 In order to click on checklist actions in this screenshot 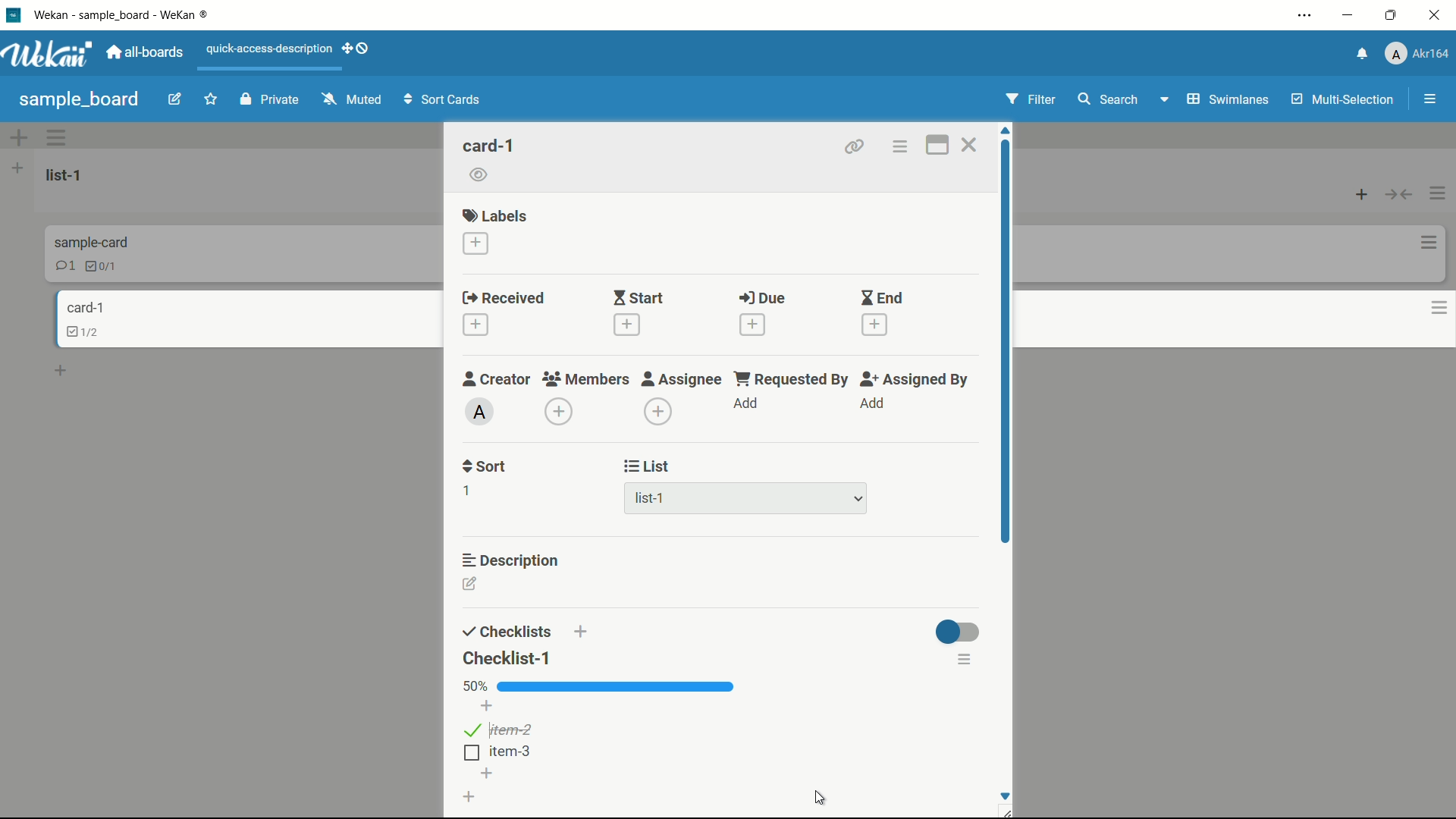, I will do `click(965, 658)`.